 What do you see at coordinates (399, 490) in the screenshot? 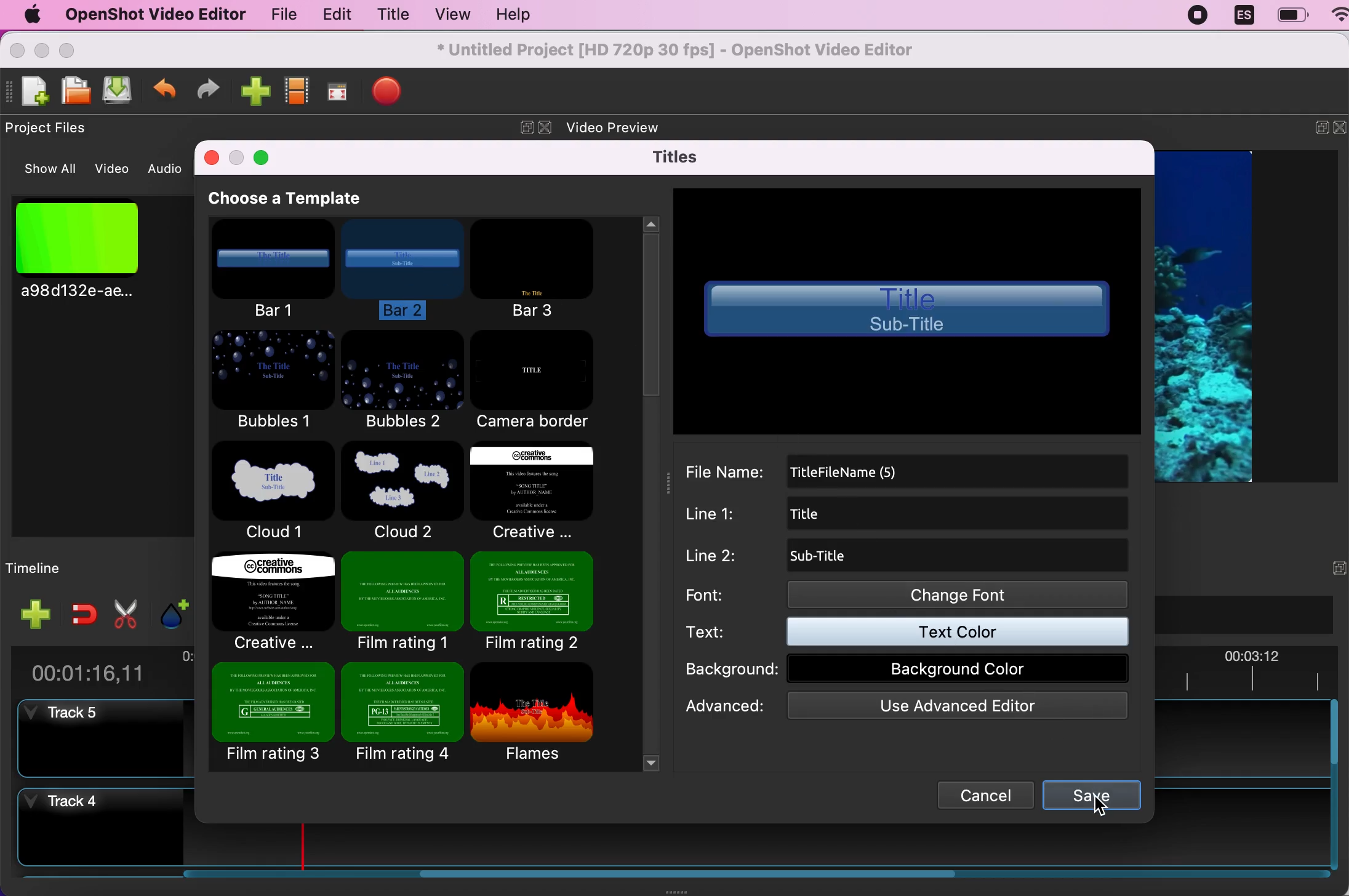
I see `cloud 2` at bounding box center [399, 490].